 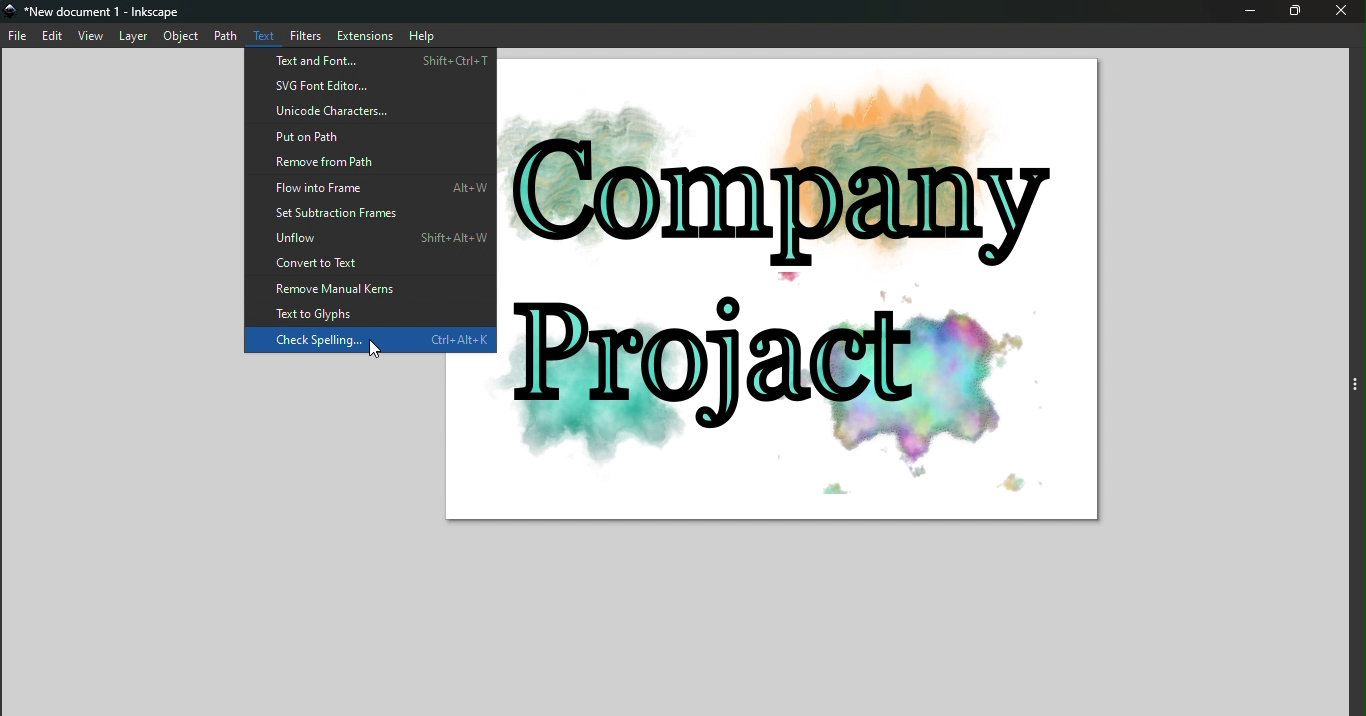 What do you see at coordinates (366, 35) in the screenshot?
I see `extensions` at bounding box center [366, 35].